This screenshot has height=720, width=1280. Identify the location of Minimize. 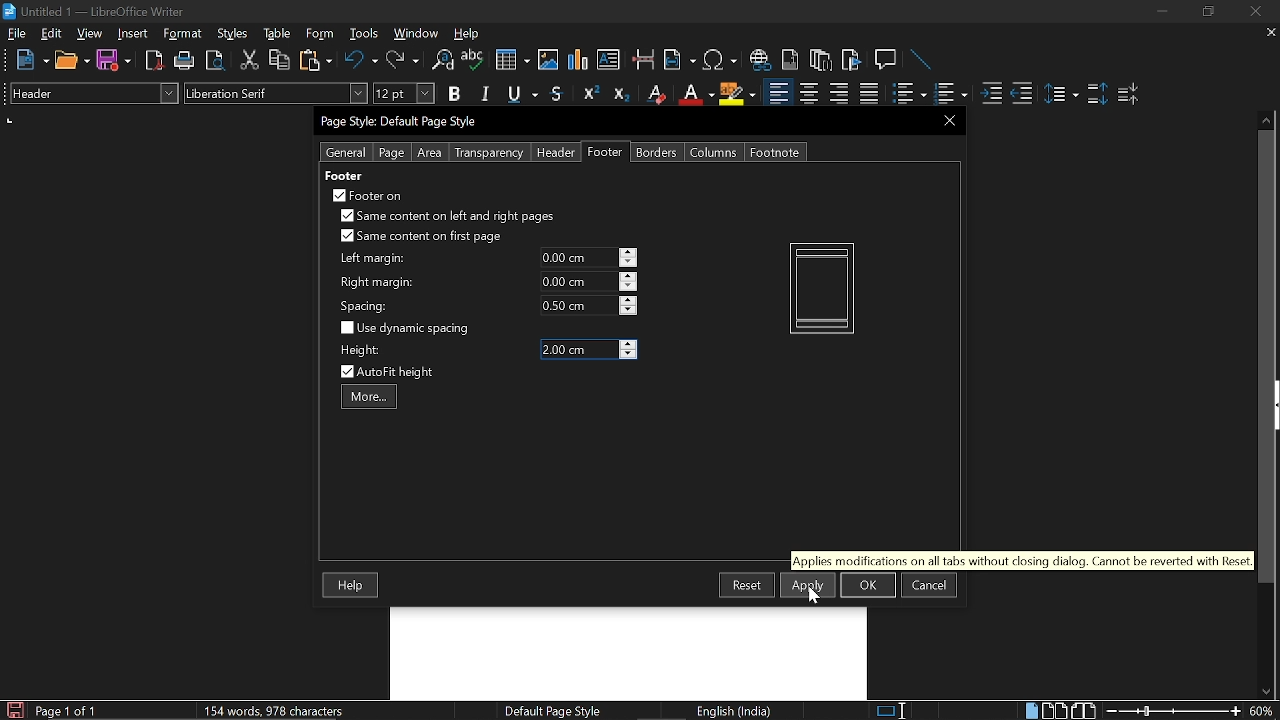
(1162, 14).